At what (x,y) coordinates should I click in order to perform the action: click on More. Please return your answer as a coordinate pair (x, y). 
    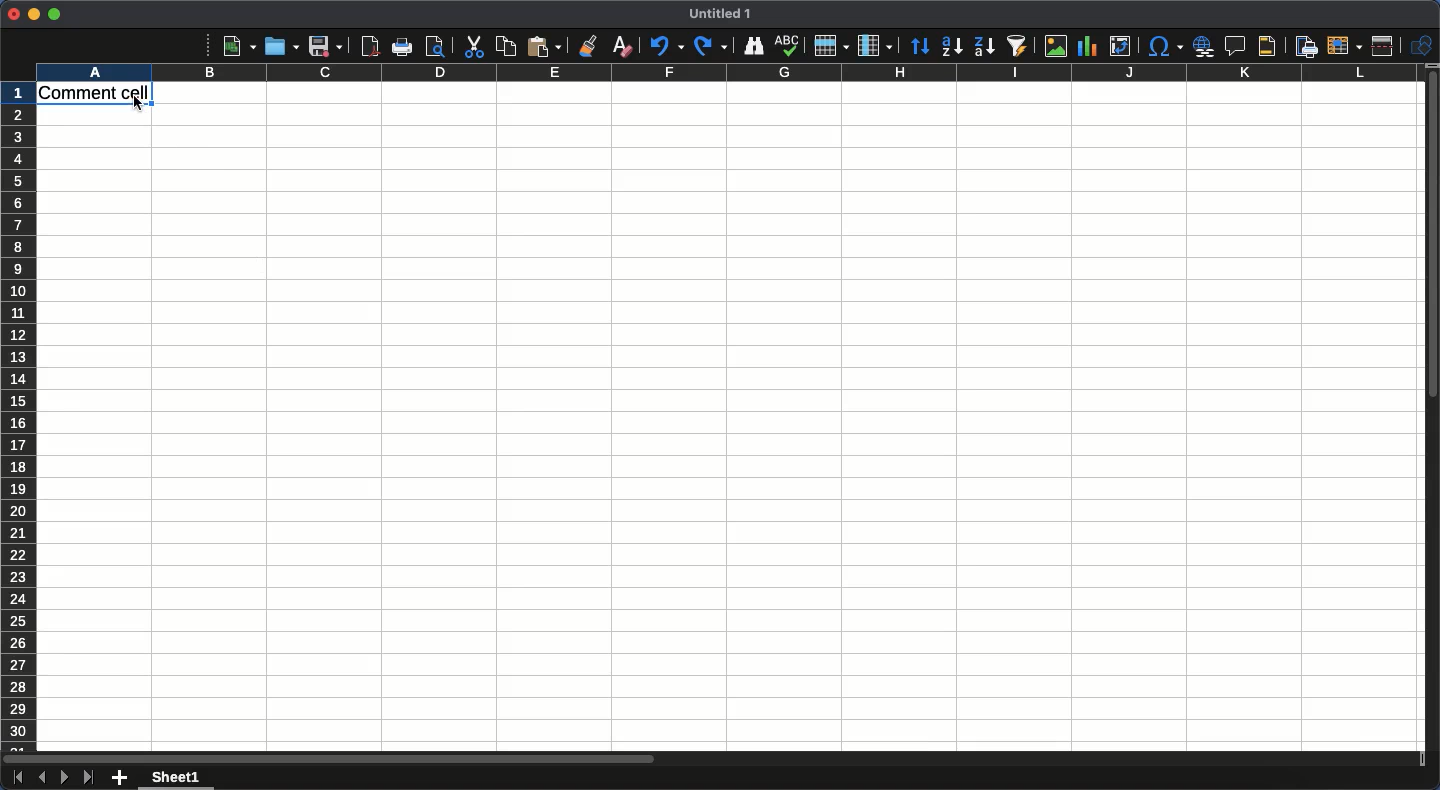
    Looking at the image, I should click on (202, 47).